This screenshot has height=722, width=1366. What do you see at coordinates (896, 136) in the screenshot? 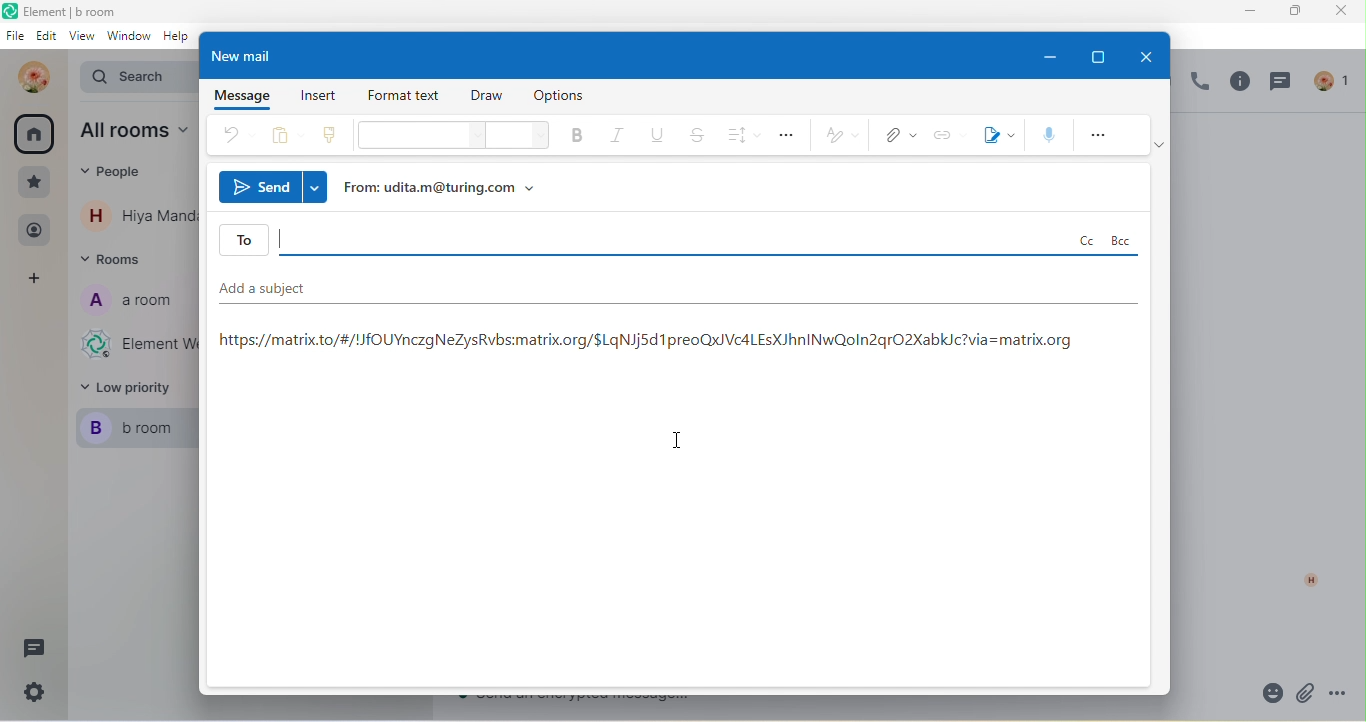
I see `attachment` at bounding box center [896, 136].